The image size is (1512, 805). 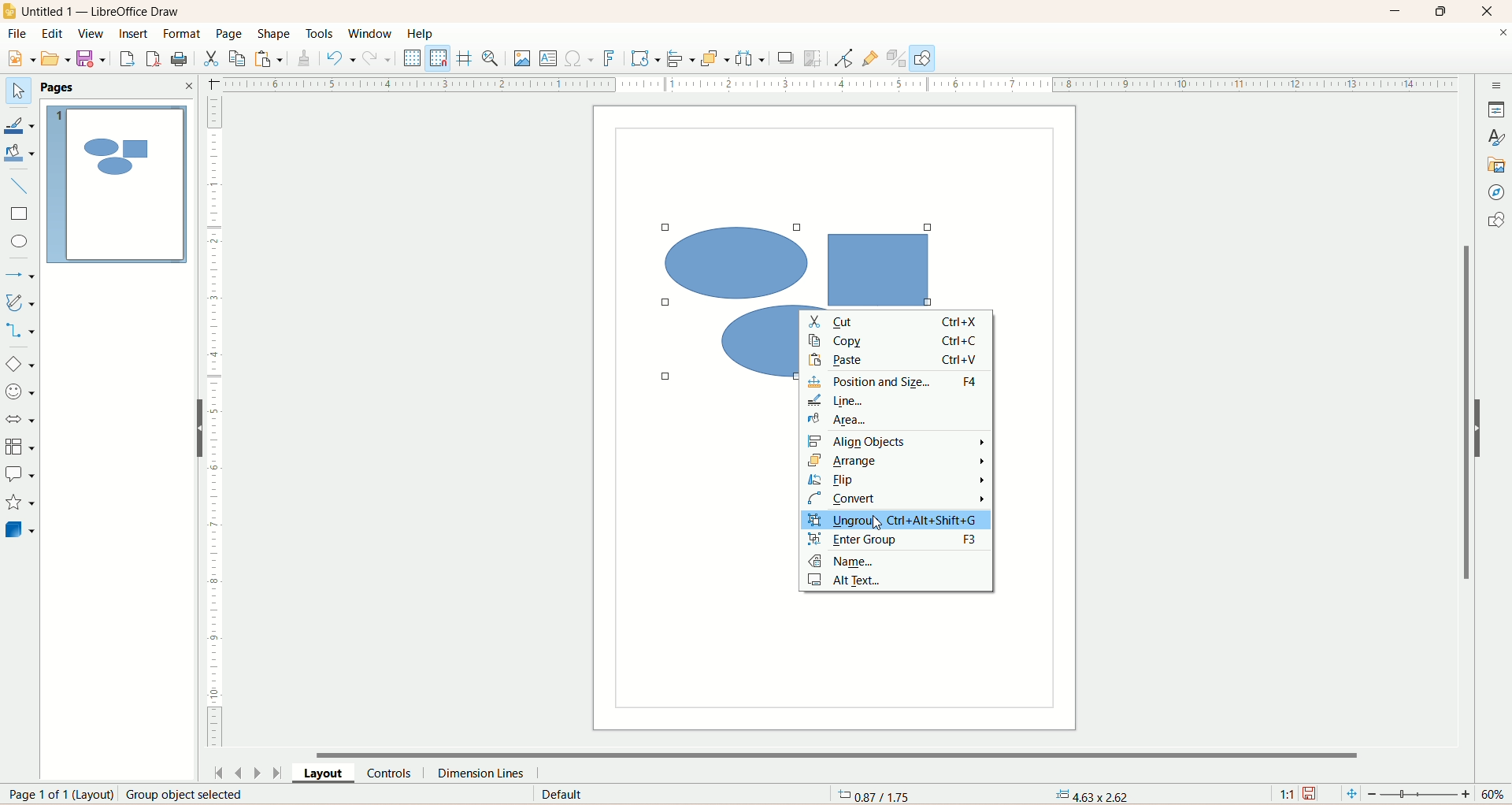 What do you see at coordinates (19, 91) in the screenshot?
I see `select` at bounding box center [19, 91].